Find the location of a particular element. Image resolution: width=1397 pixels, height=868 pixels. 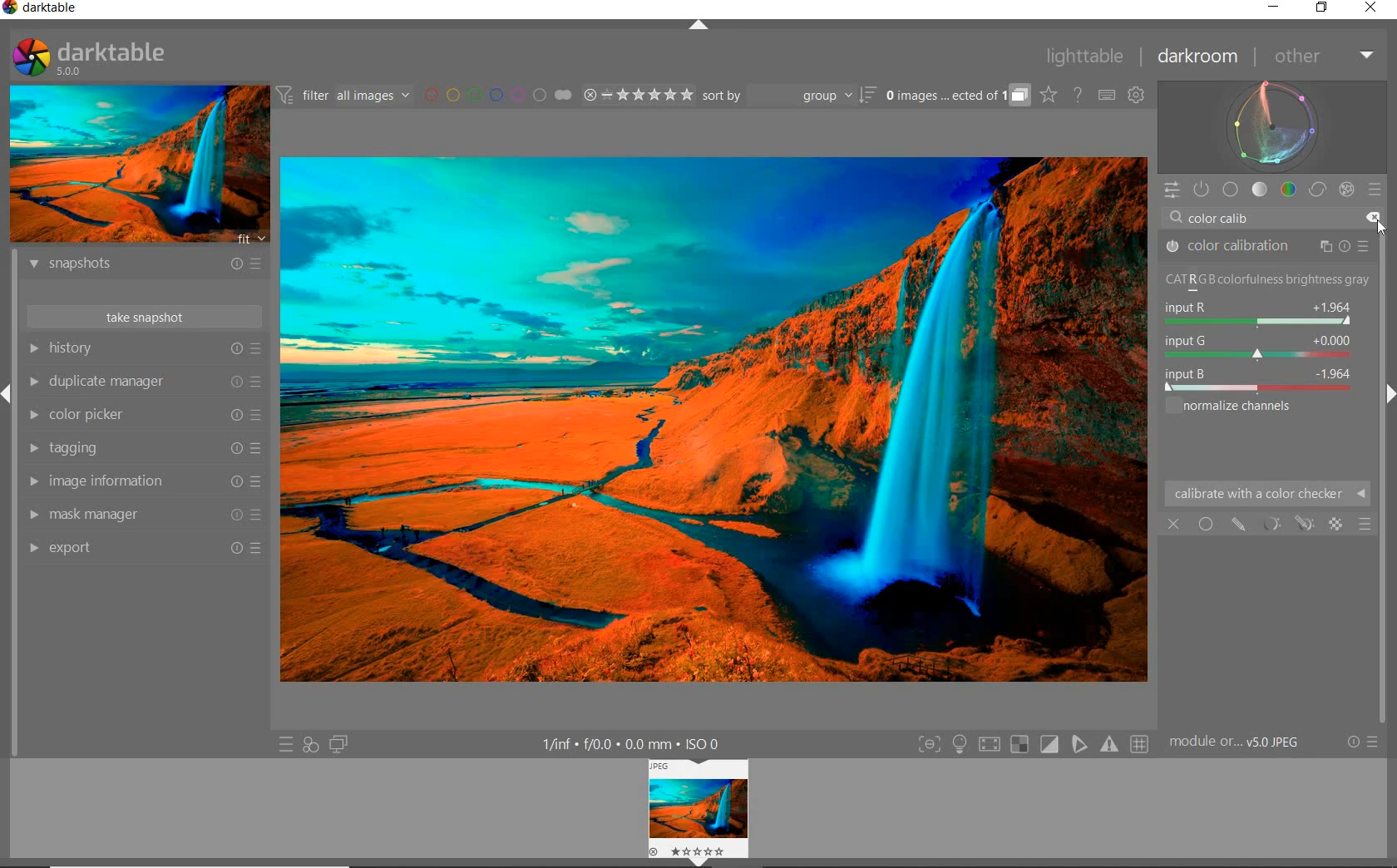

export is located at coordinates (146, 550).